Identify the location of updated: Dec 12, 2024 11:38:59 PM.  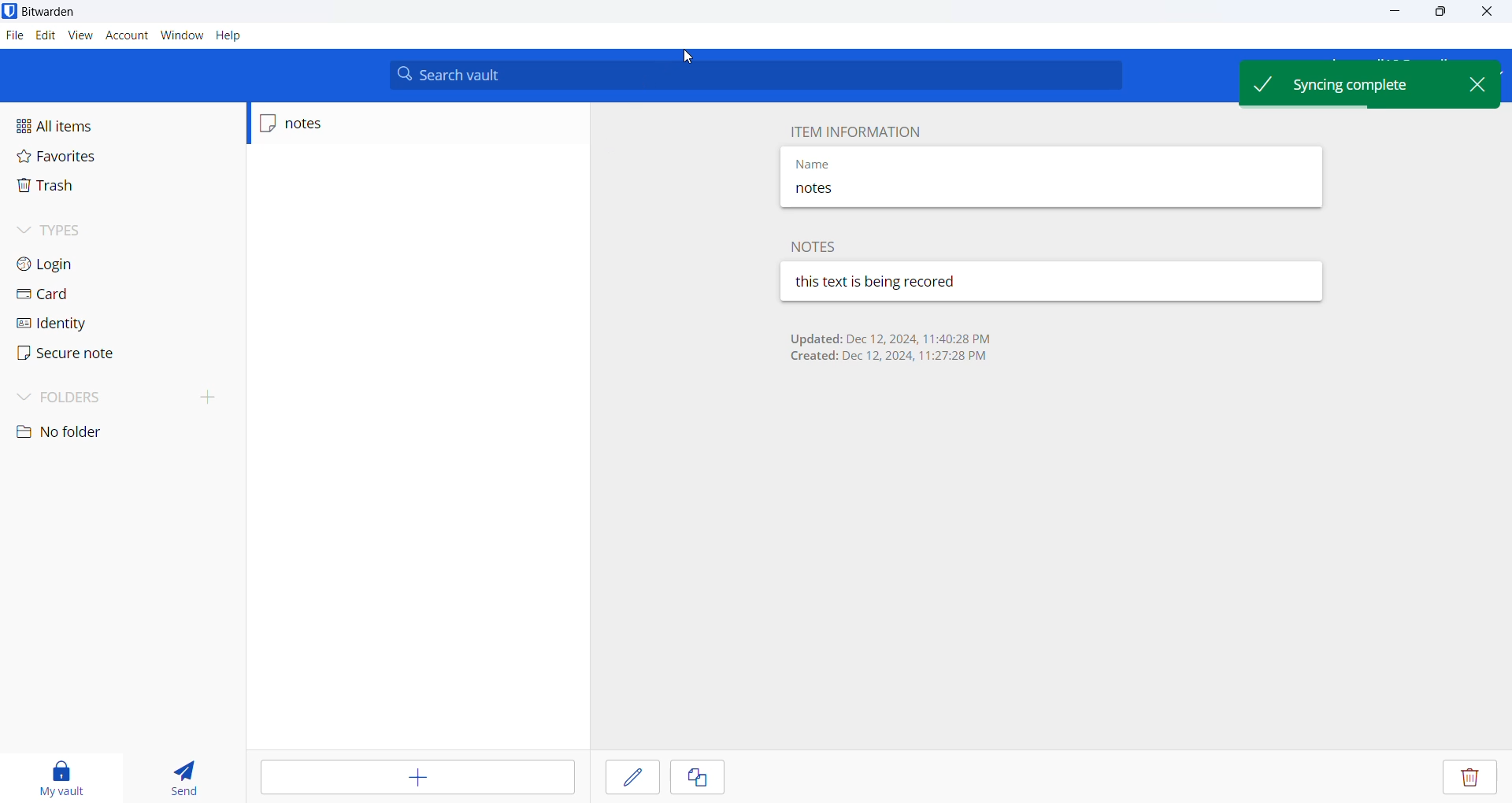
(889, 338).